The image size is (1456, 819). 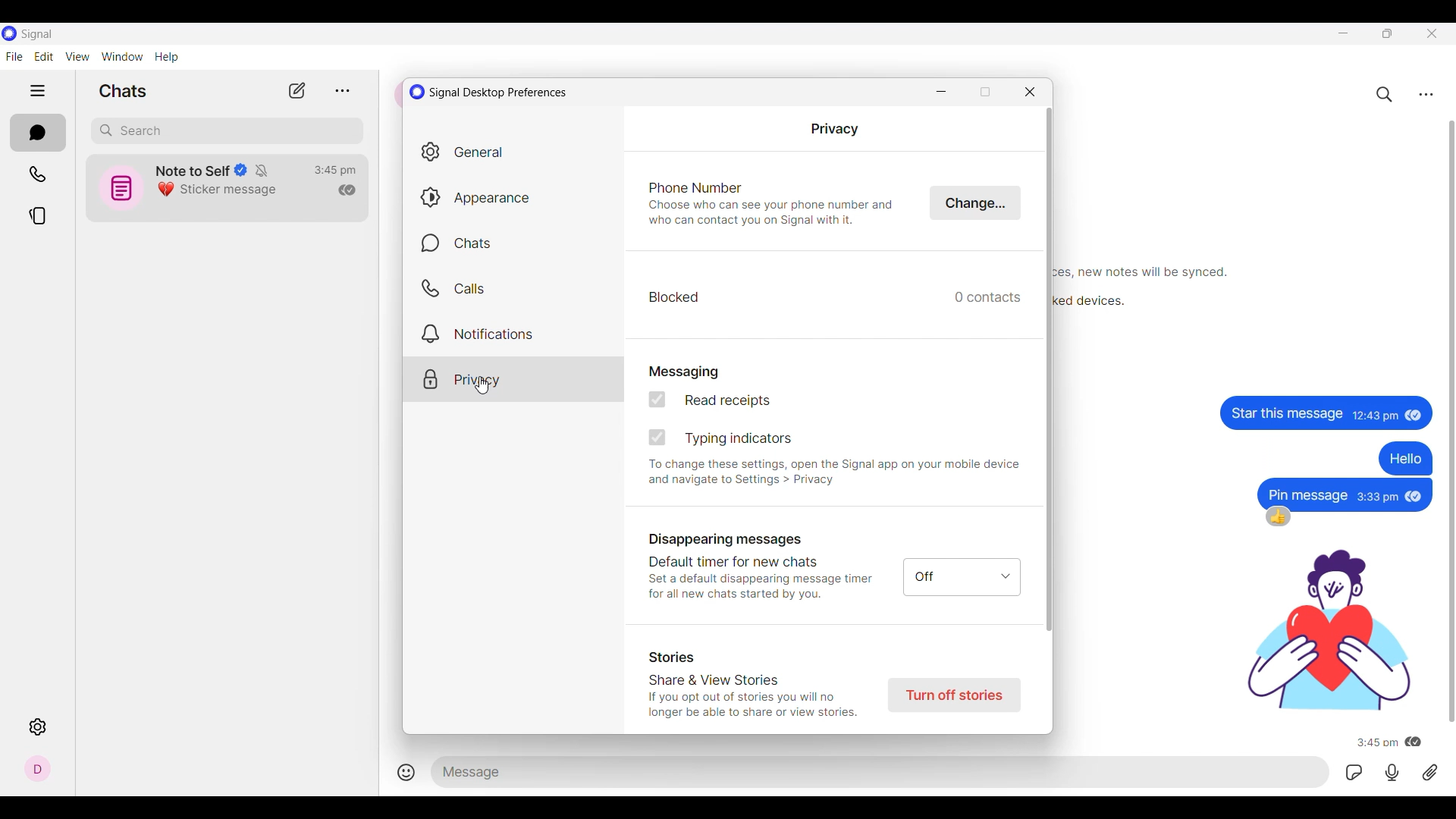 I want to click on Chat icon and details, so click(x=187, y=186).